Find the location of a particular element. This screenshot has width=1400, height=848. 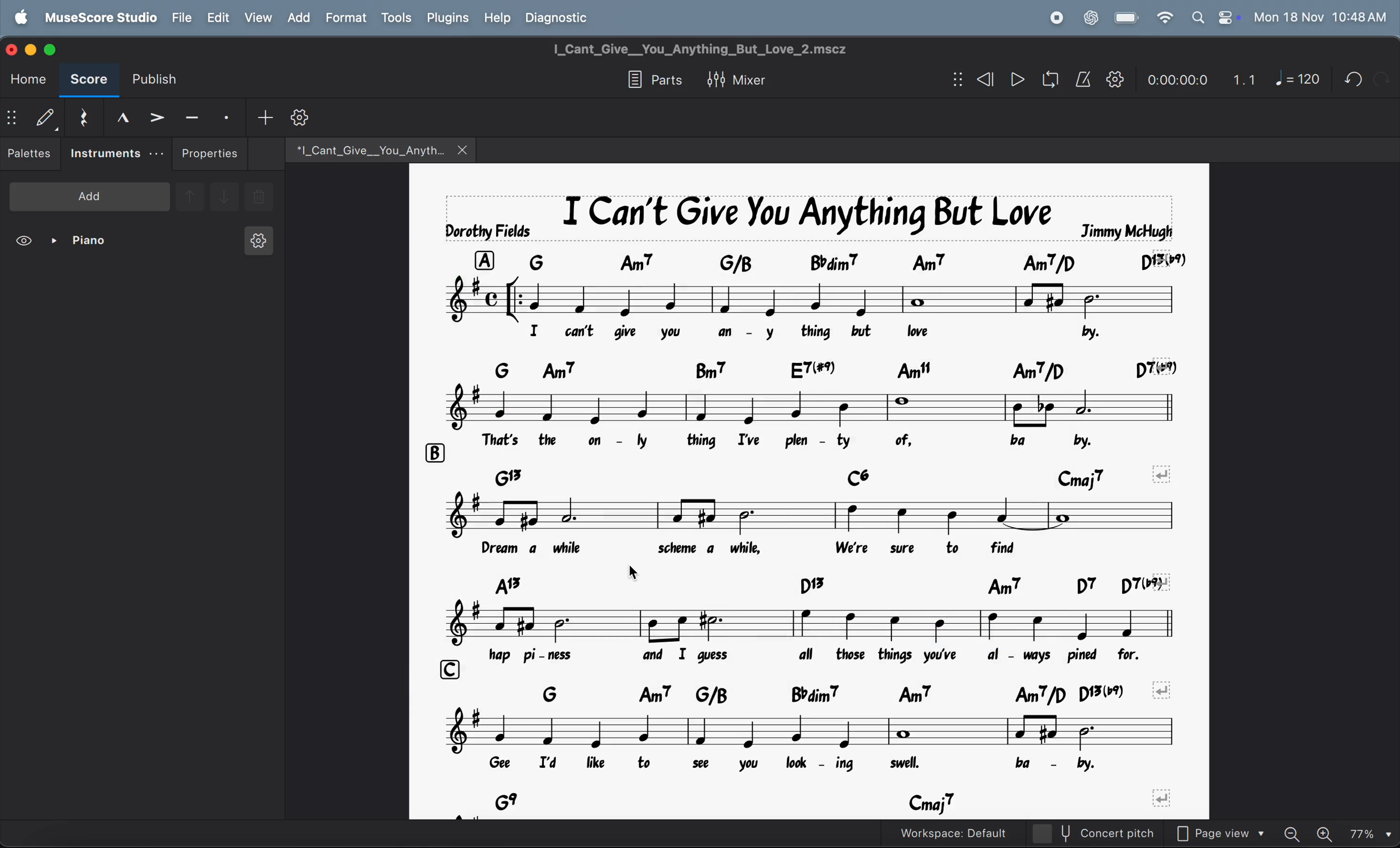

close is located at coordinates (14, 48).